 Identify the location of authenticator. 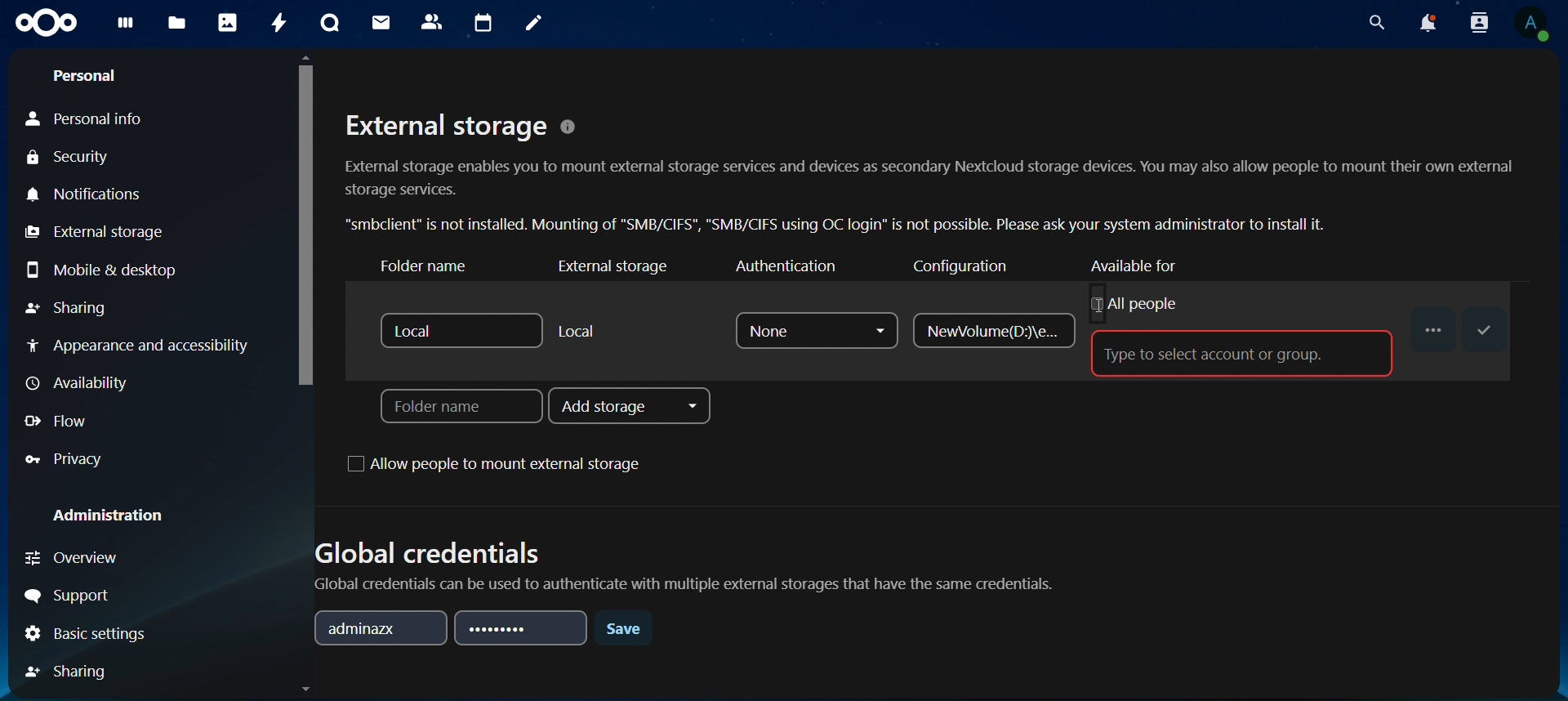
(785, 267).